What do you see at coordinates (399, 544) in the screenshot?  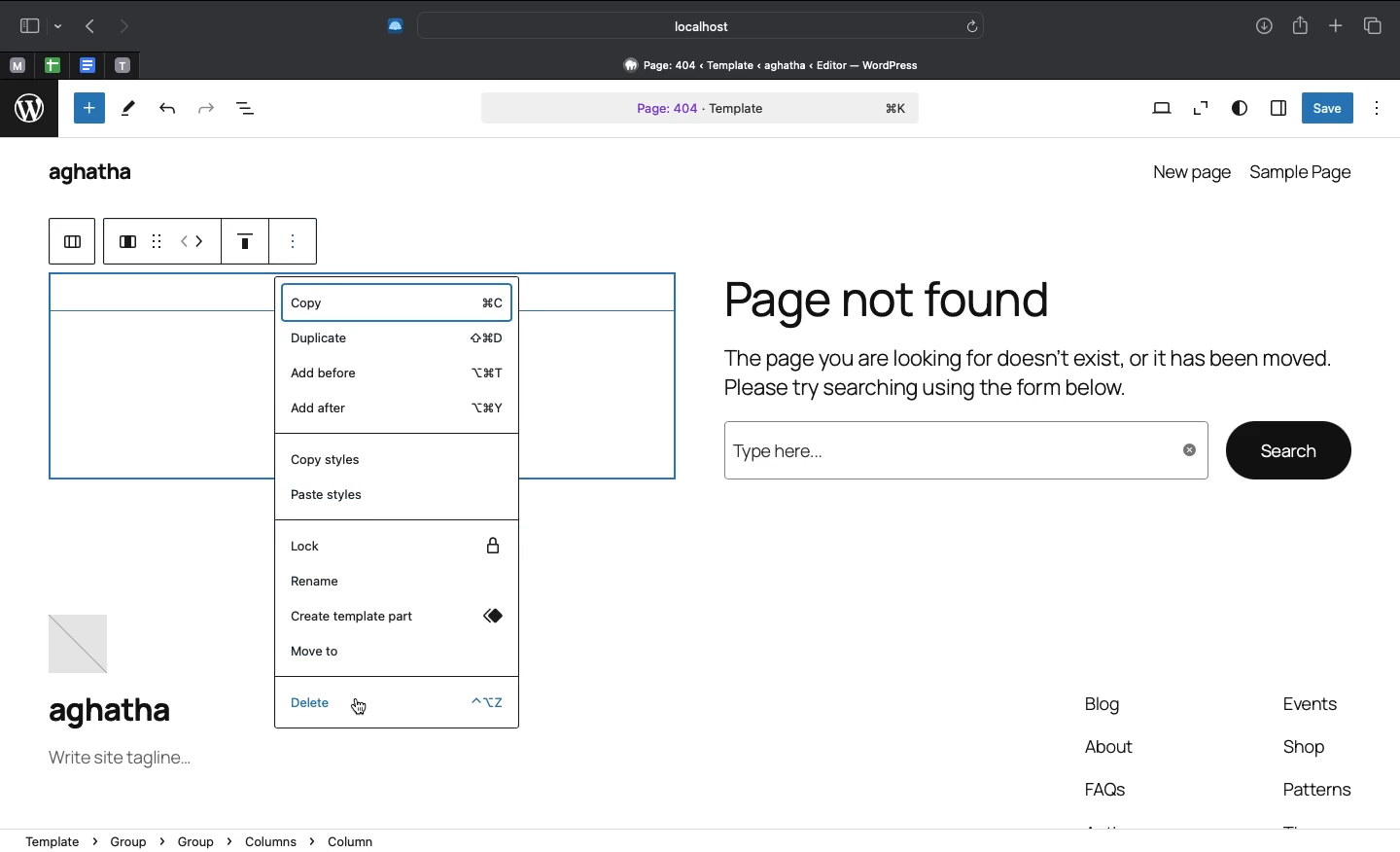 I see `lock` at bounding box center [399, 544].